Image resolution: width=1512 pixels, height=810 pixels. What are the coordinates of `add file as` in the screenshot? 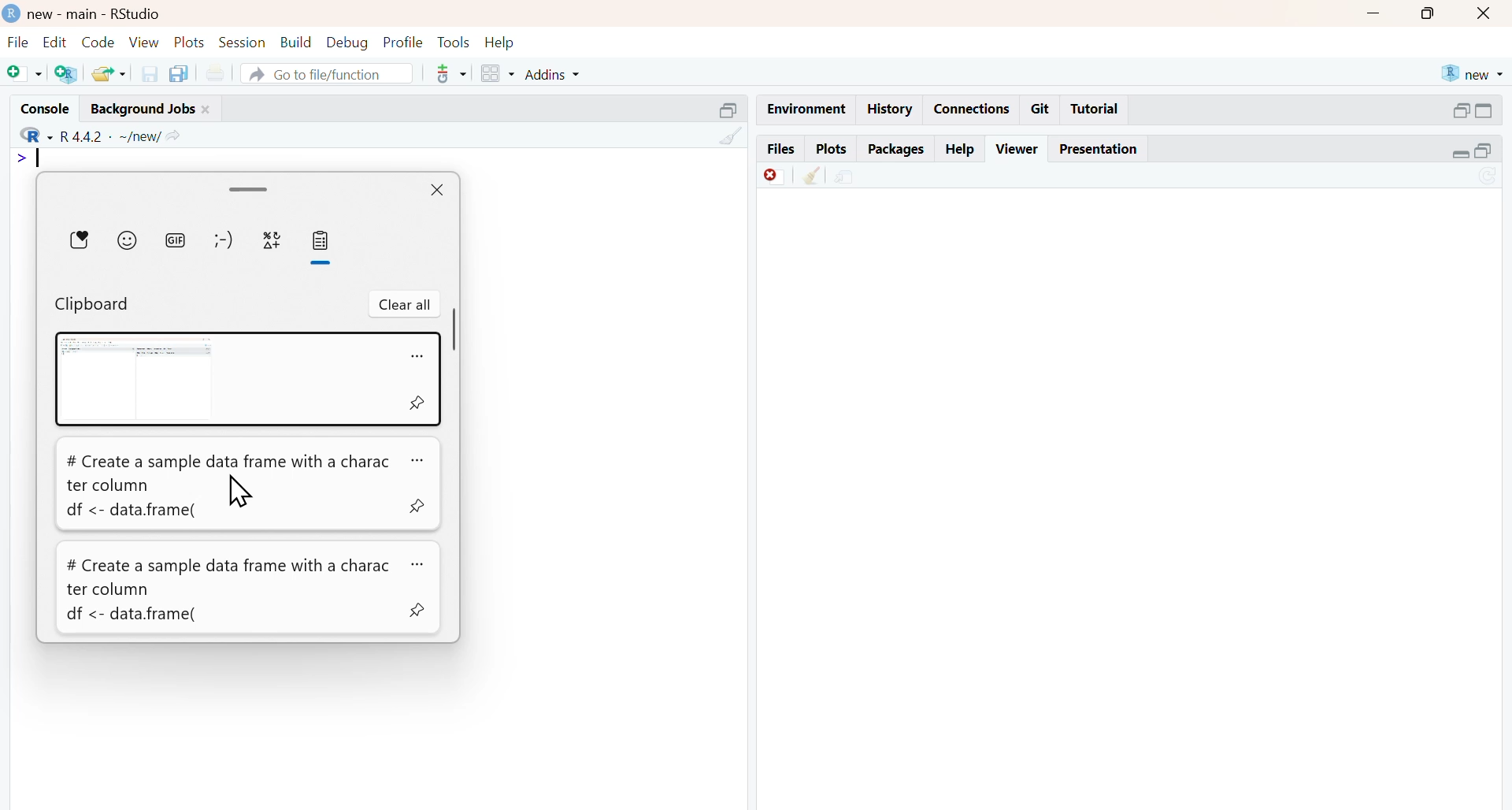 It's located at (25, 74).